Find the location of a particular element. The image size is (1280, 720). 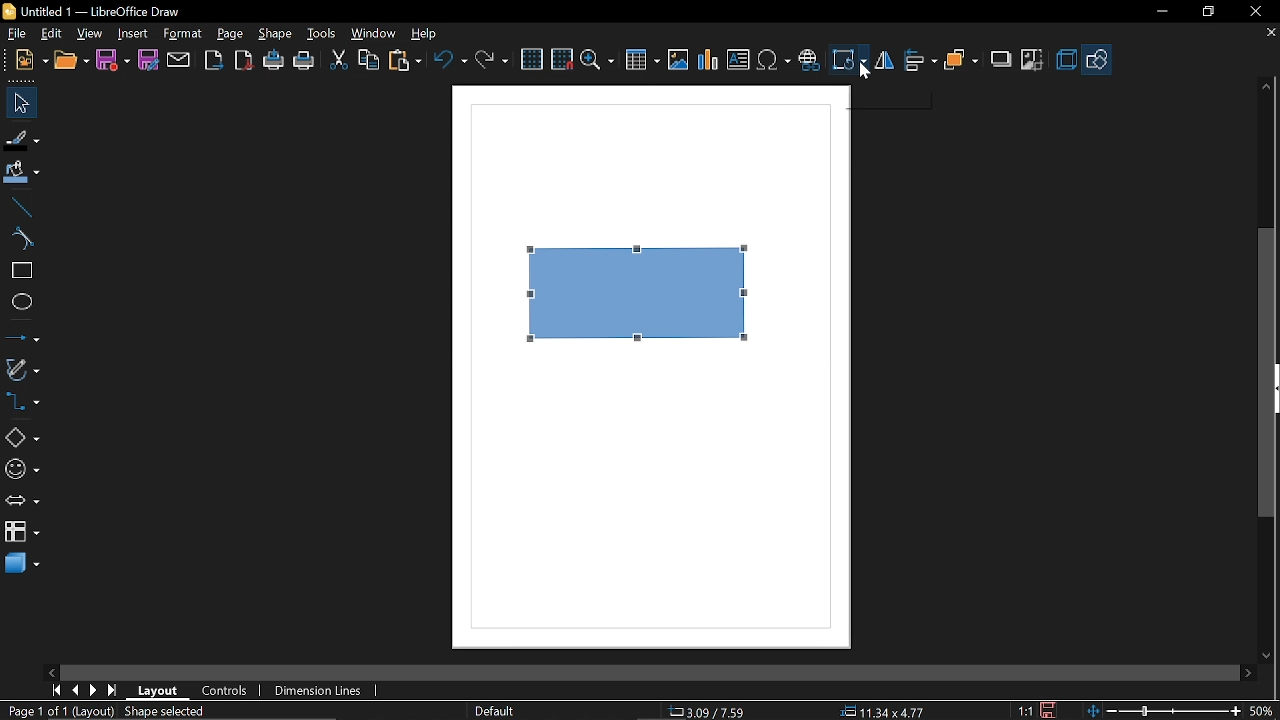

Line is located at coordinates (20, 207).